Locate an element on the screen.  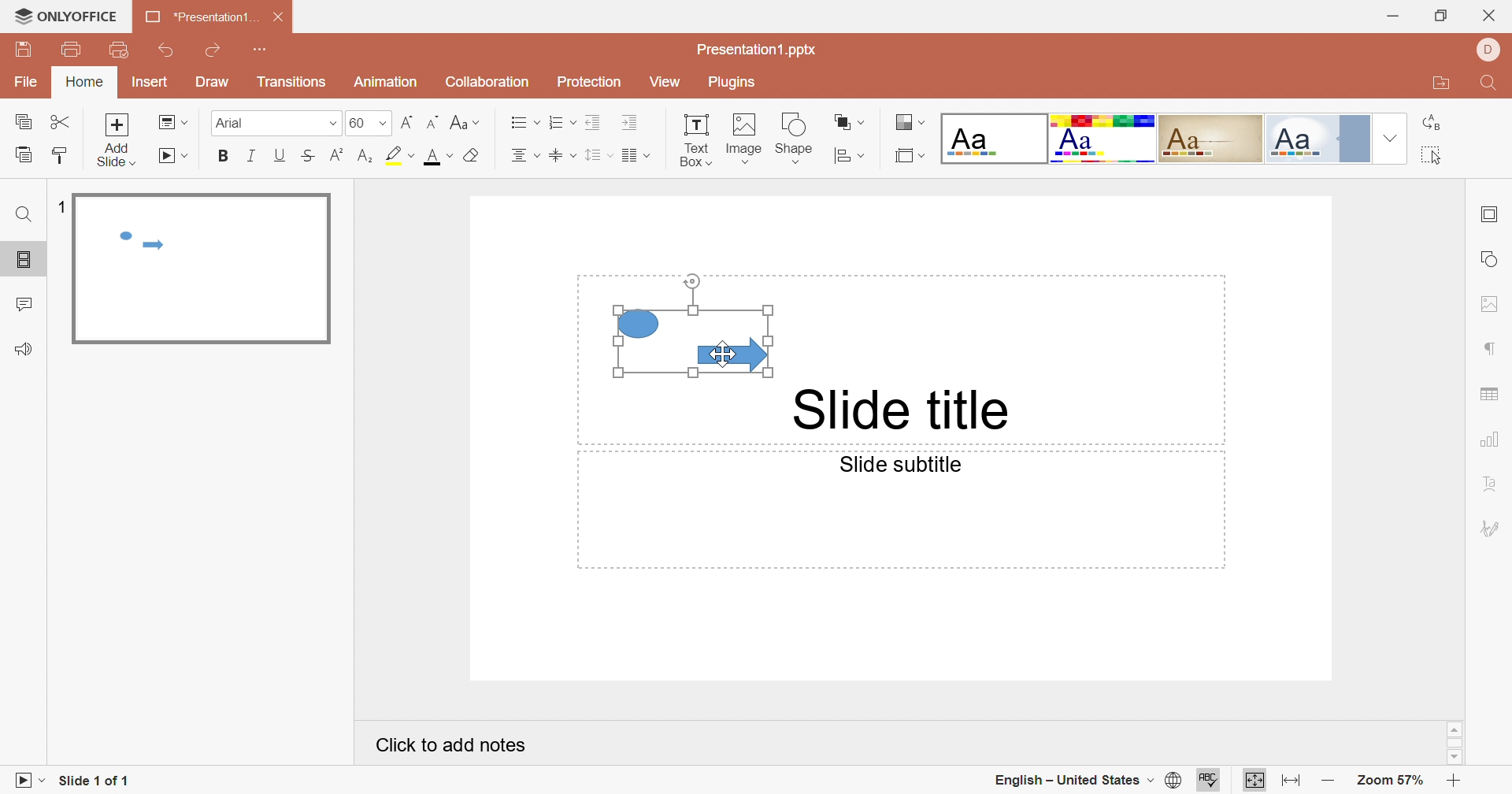
Set document language is located at coordinates (1173, 782).